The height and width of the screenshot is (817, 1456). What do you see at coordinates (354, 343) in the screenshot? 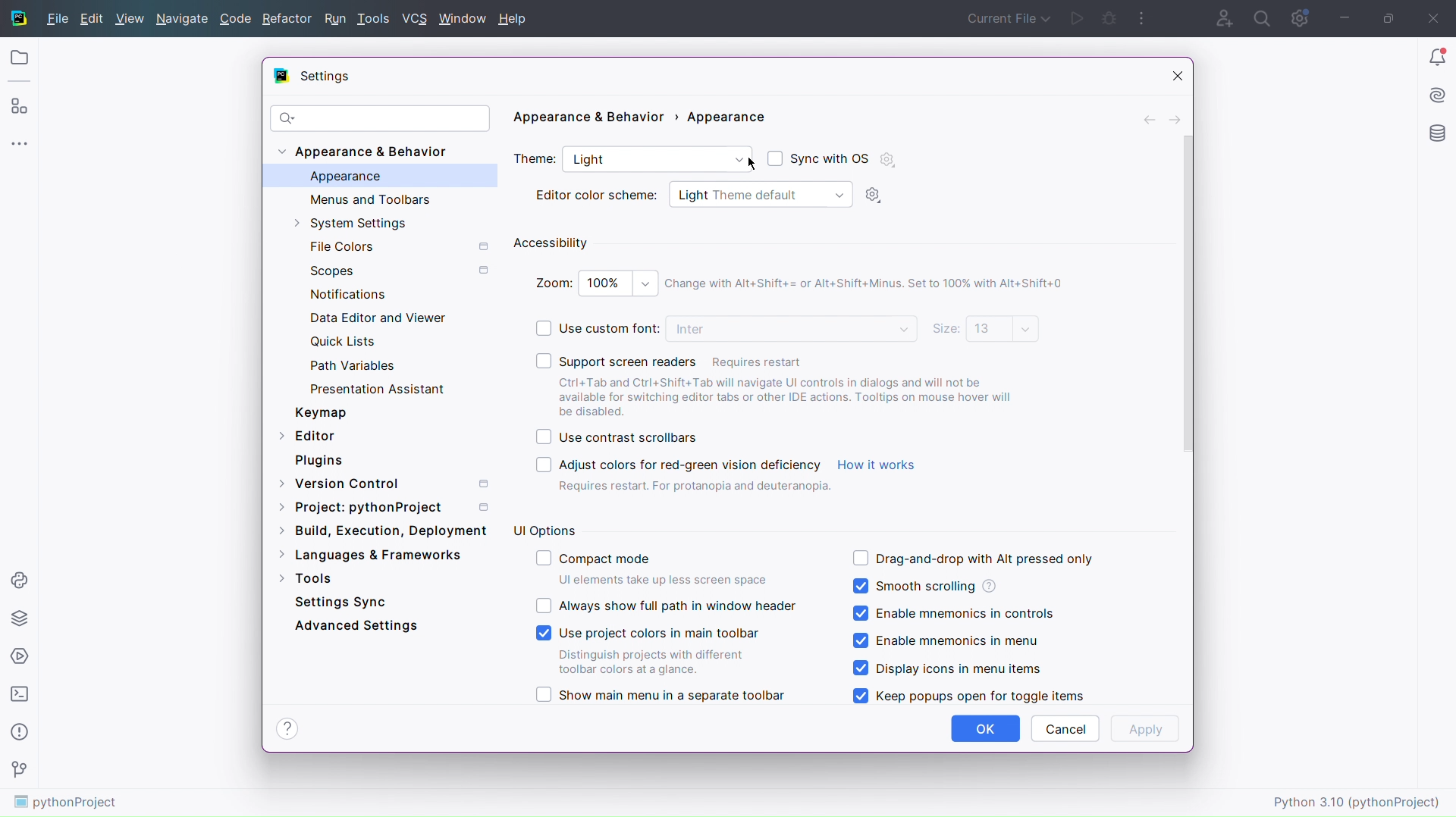
I see `Quick Lists` at bounding box center [354, 343].